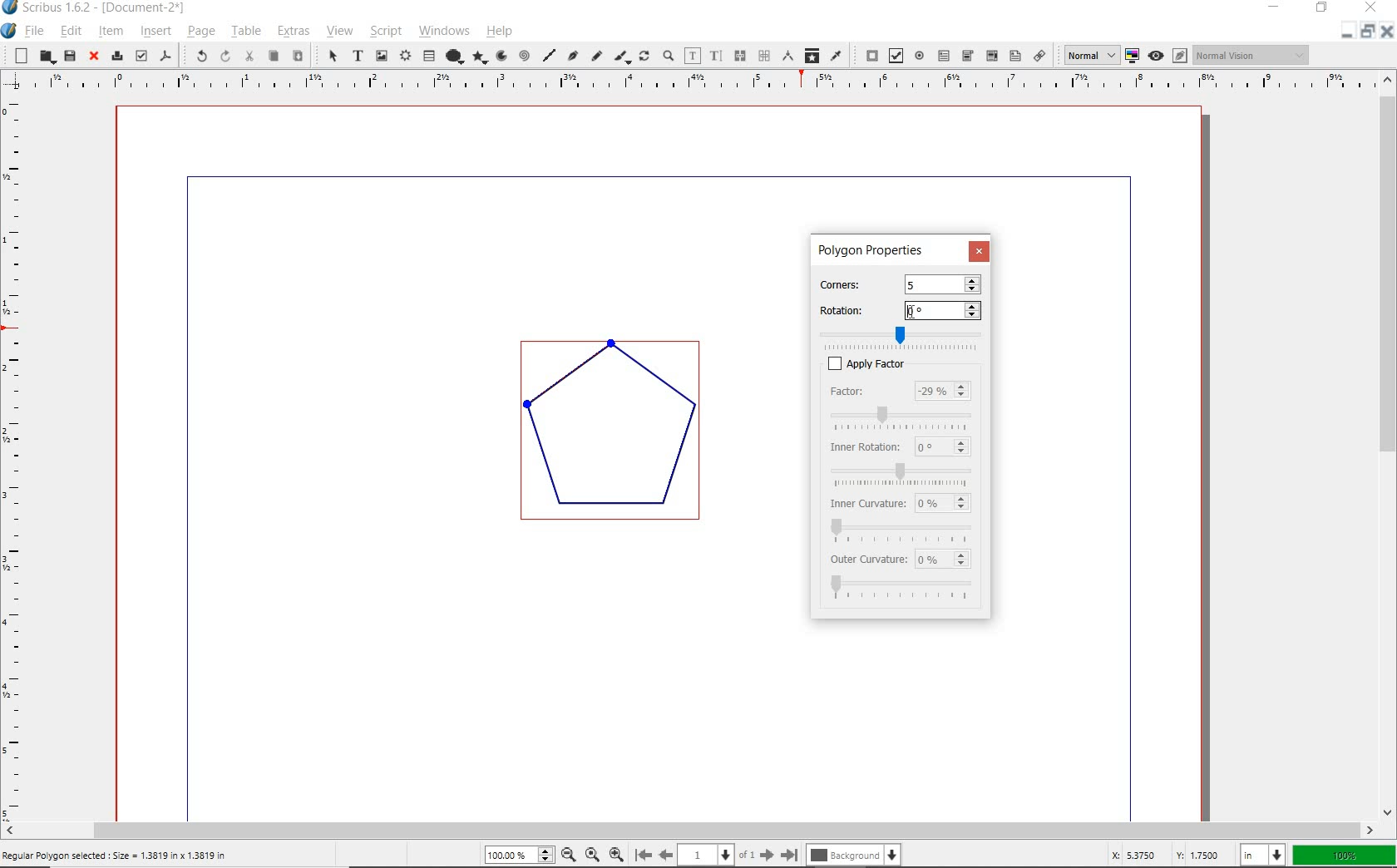  I want to click on help, so click(502, 33).